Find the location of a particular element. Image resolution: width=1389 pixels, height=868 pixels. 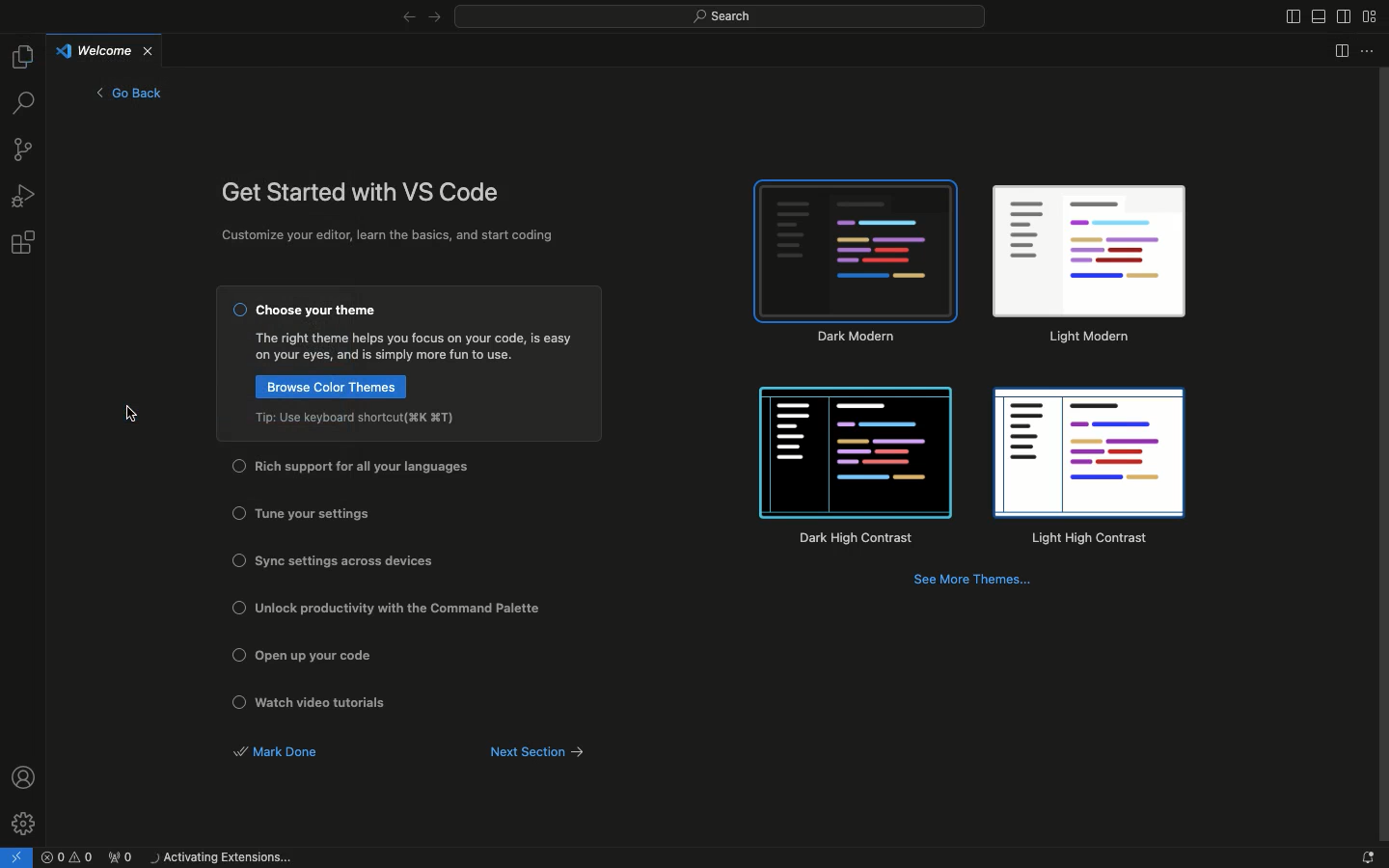

Dark high contrast is located at coordinates (857, 468).